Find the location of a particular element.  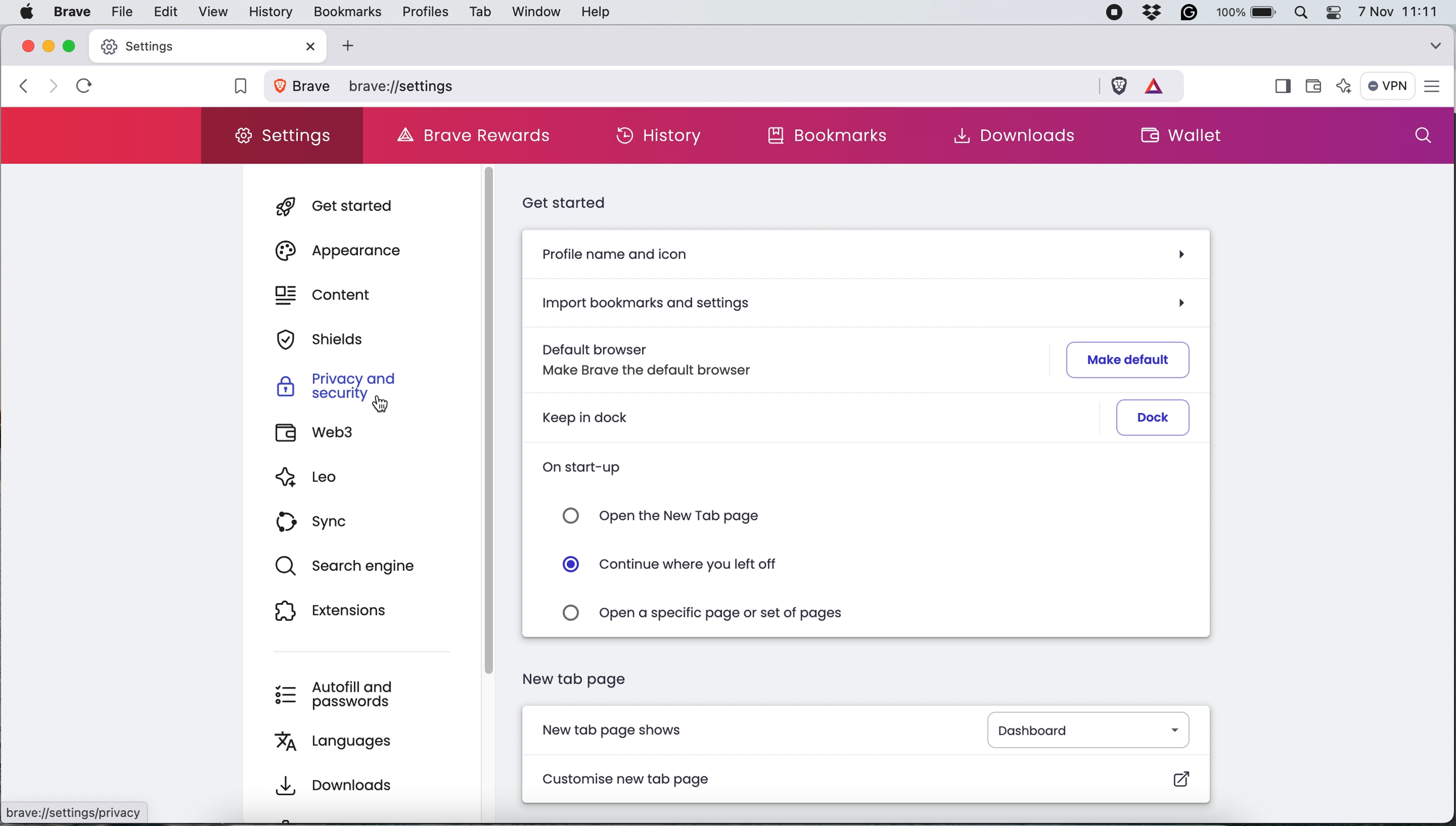

wallet is located at coordinates (1200, 138).